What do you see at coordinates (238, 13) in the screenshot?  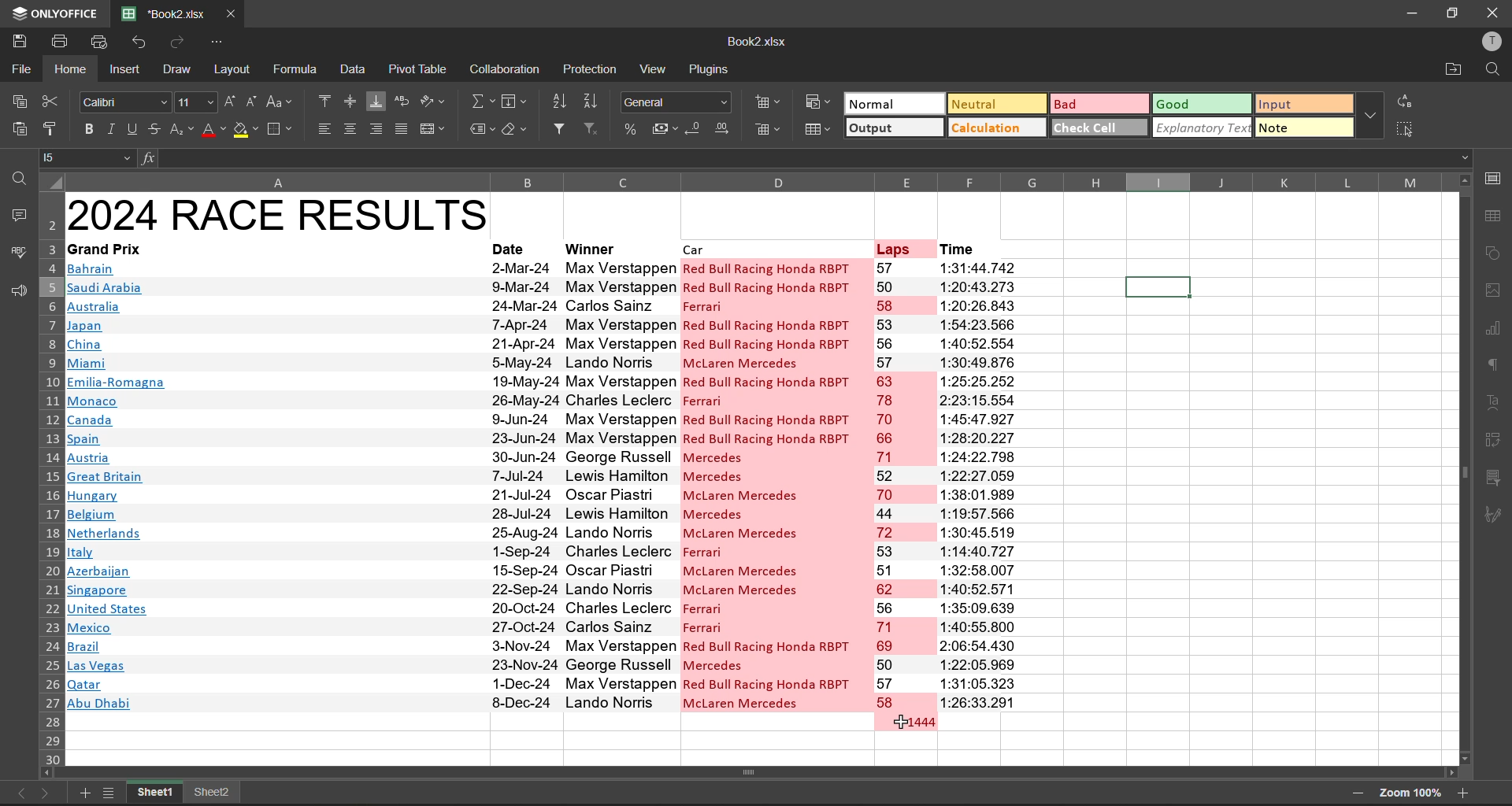 I see `close tab` at bounding box center [238, 13].